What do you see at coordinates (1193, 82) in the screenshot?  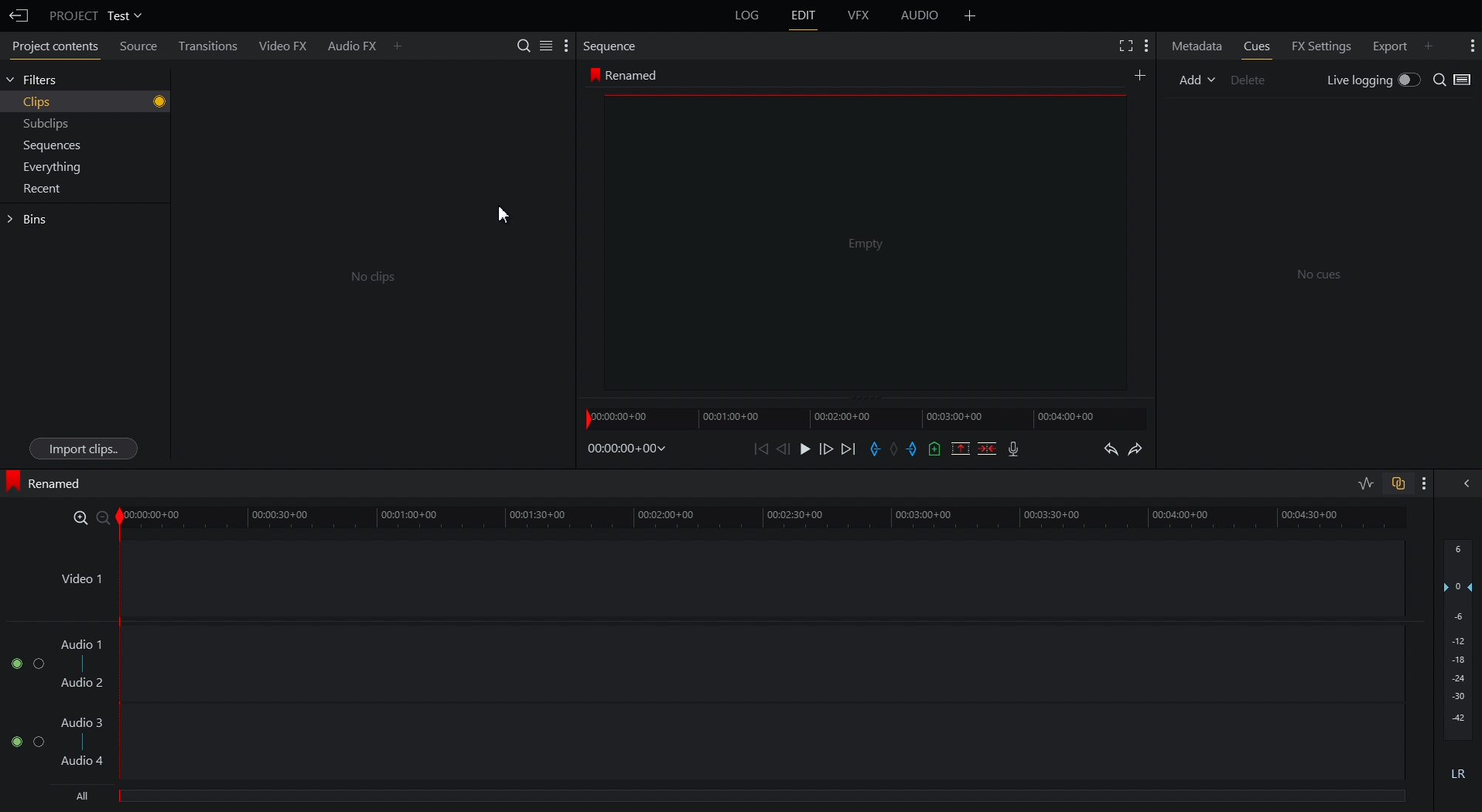 I see `Add` at bounding box center [1193, 82].